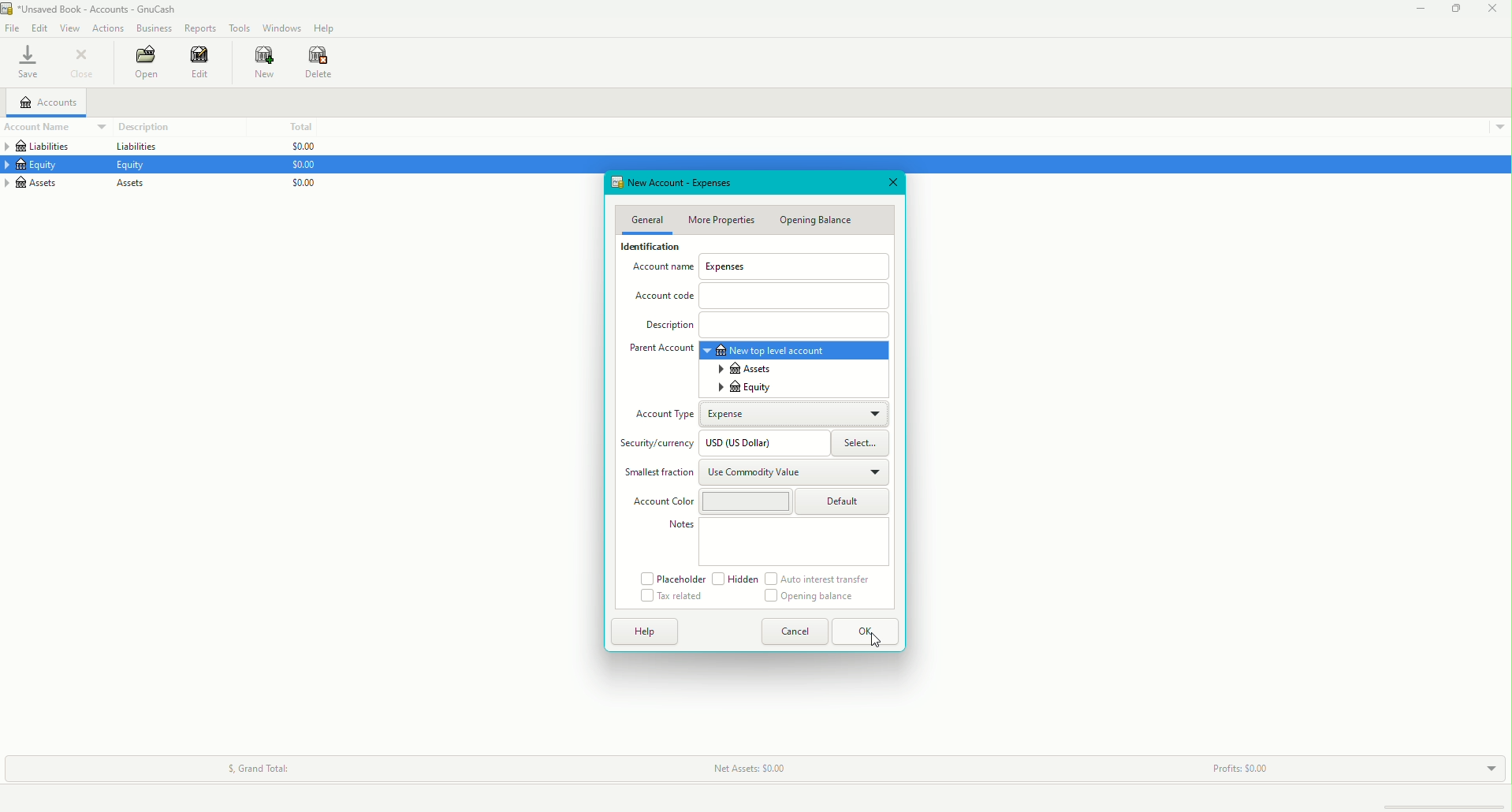 This screenshot has height=812, width=1512. Describe the element at coordinates (1455, 12) in the screenshot. I see `Restore` at that location.